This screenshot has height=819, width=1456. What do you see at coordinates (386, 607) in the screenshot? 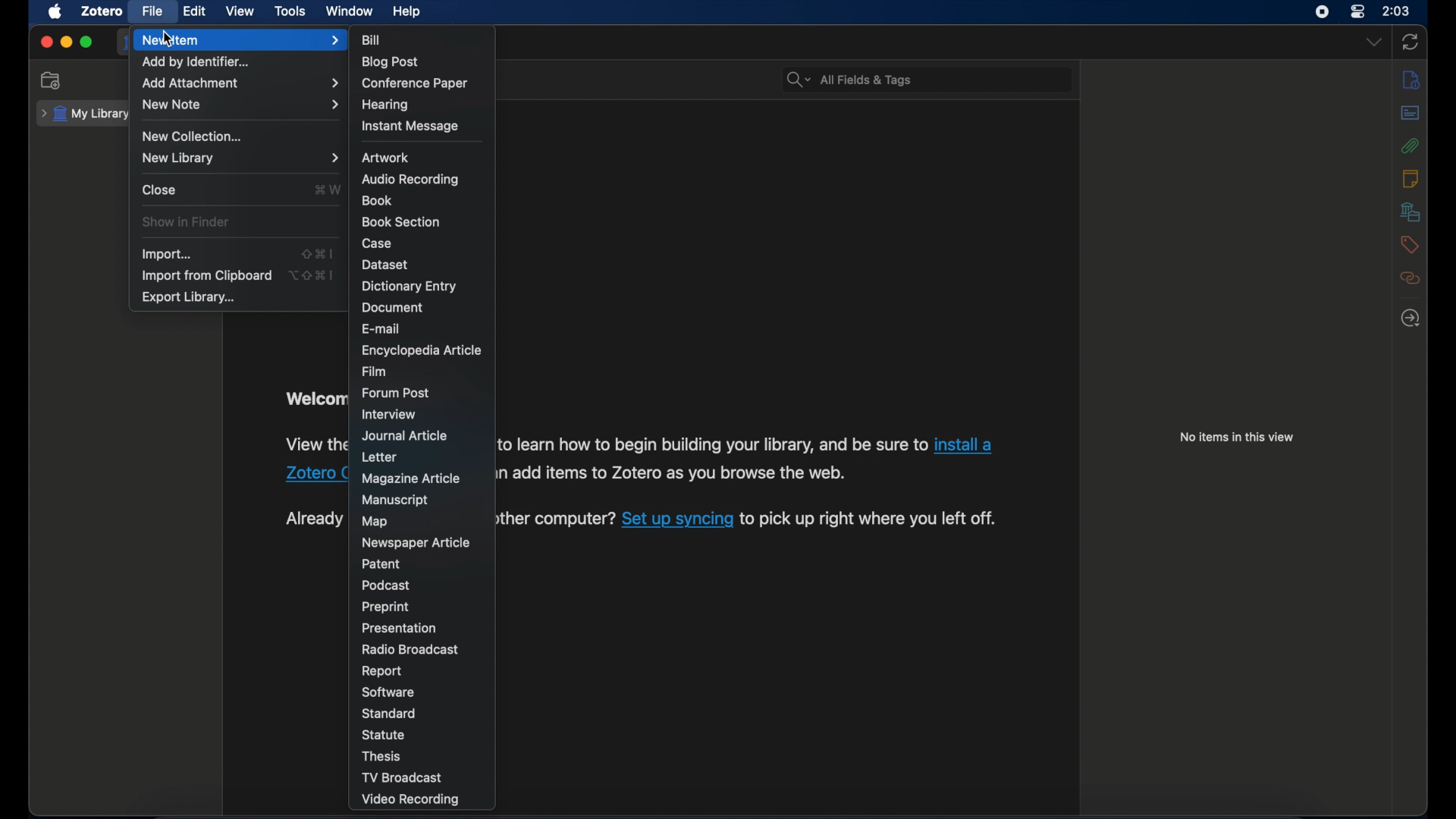
I see `preprint` at bounding box center [386, 607].